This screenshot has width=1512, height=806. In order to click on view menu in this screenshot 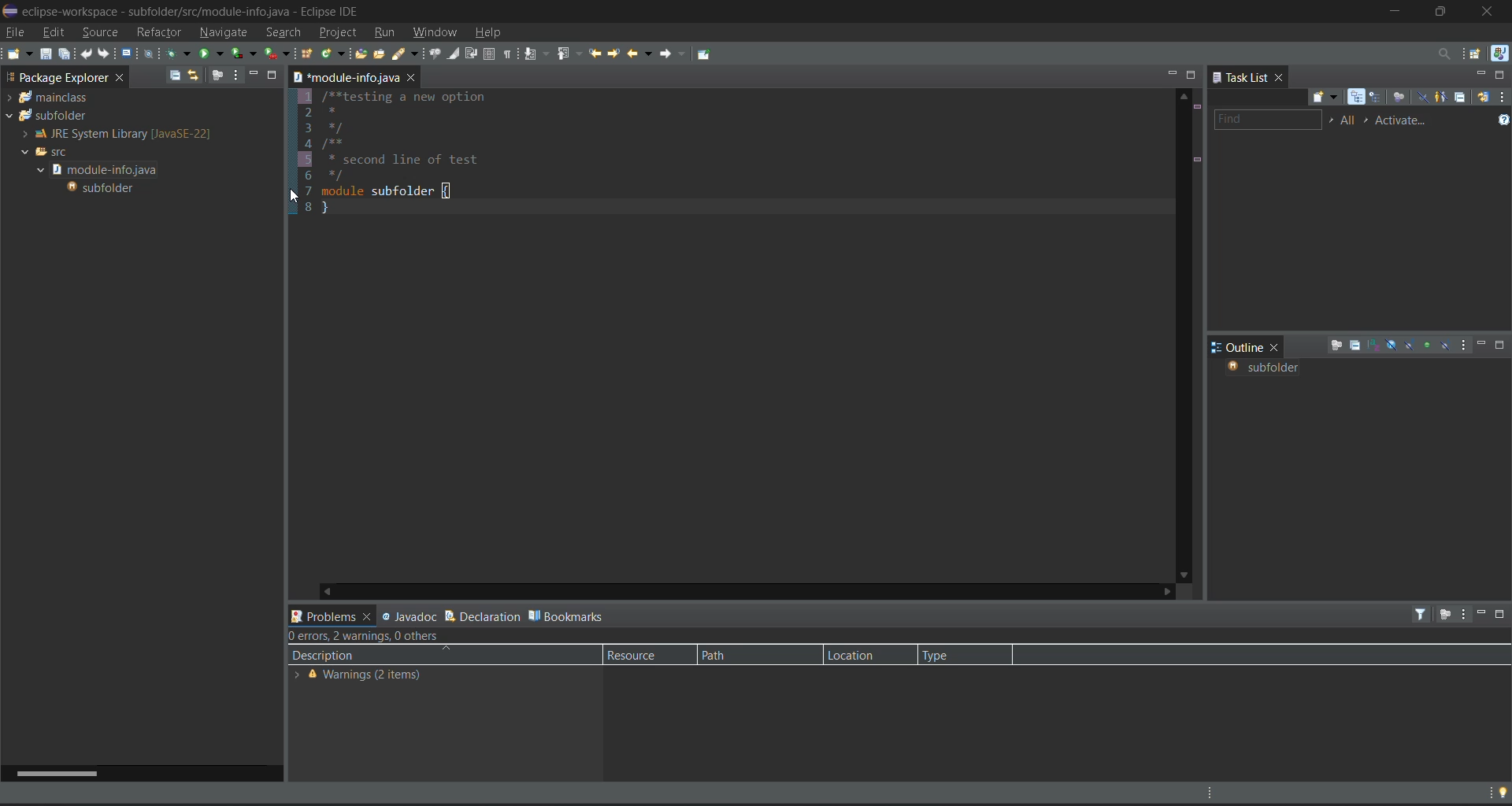, I will do `click(1465, 346)`.